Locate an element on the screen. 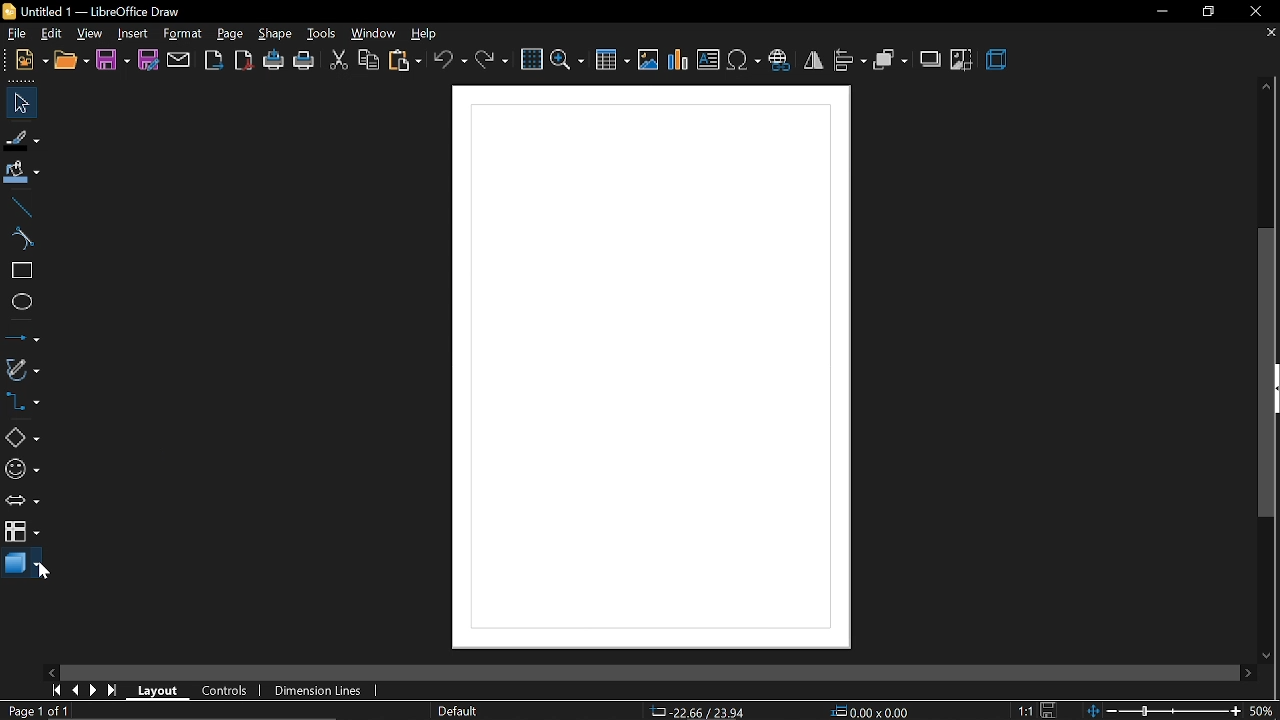 Image resolution: width=1280 pixels, height=720 pixels. dimension lines is located at coordinates (325, 692).